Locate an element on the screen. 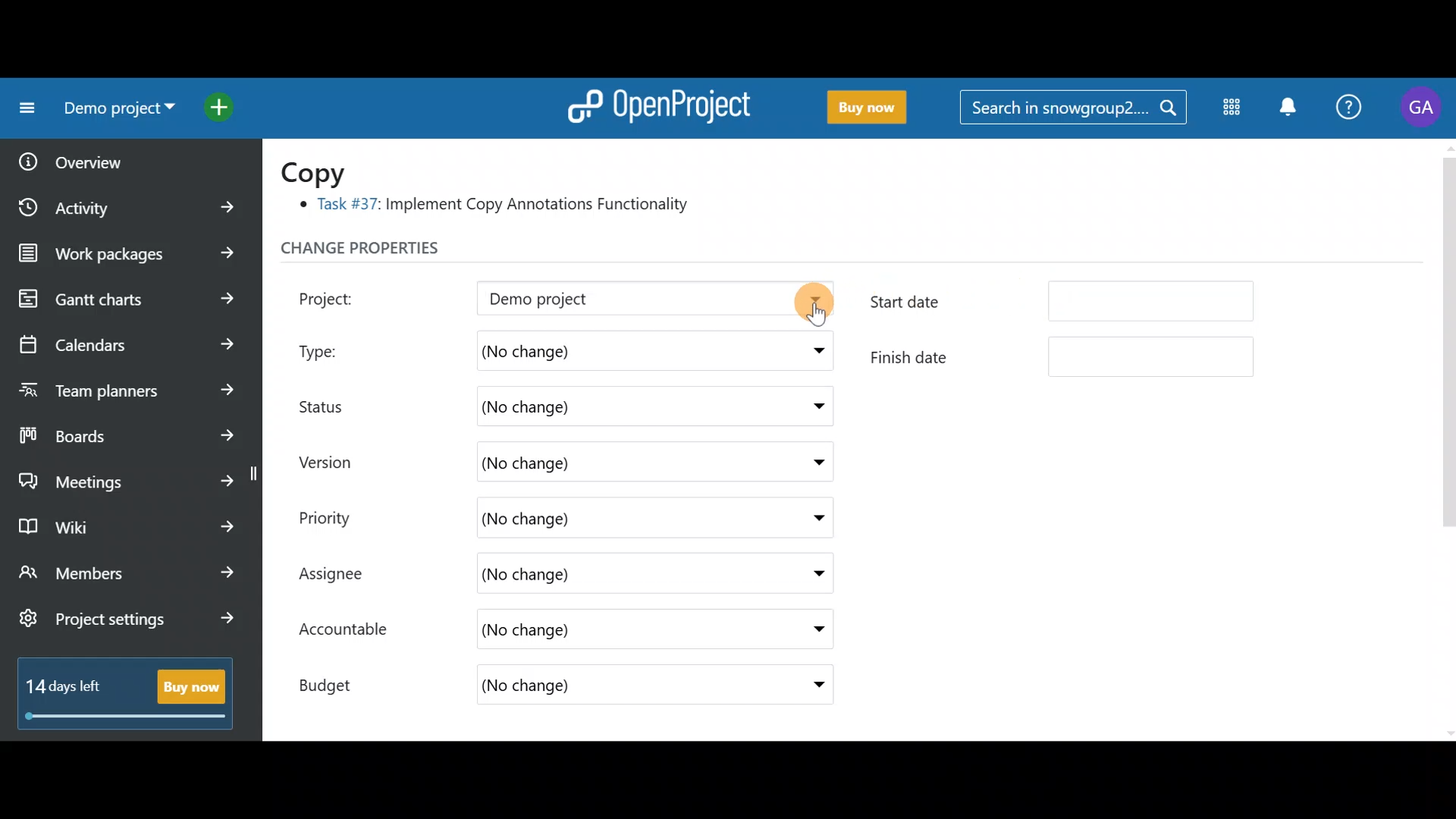  Budget drop down is located at coordinates (809, 685).